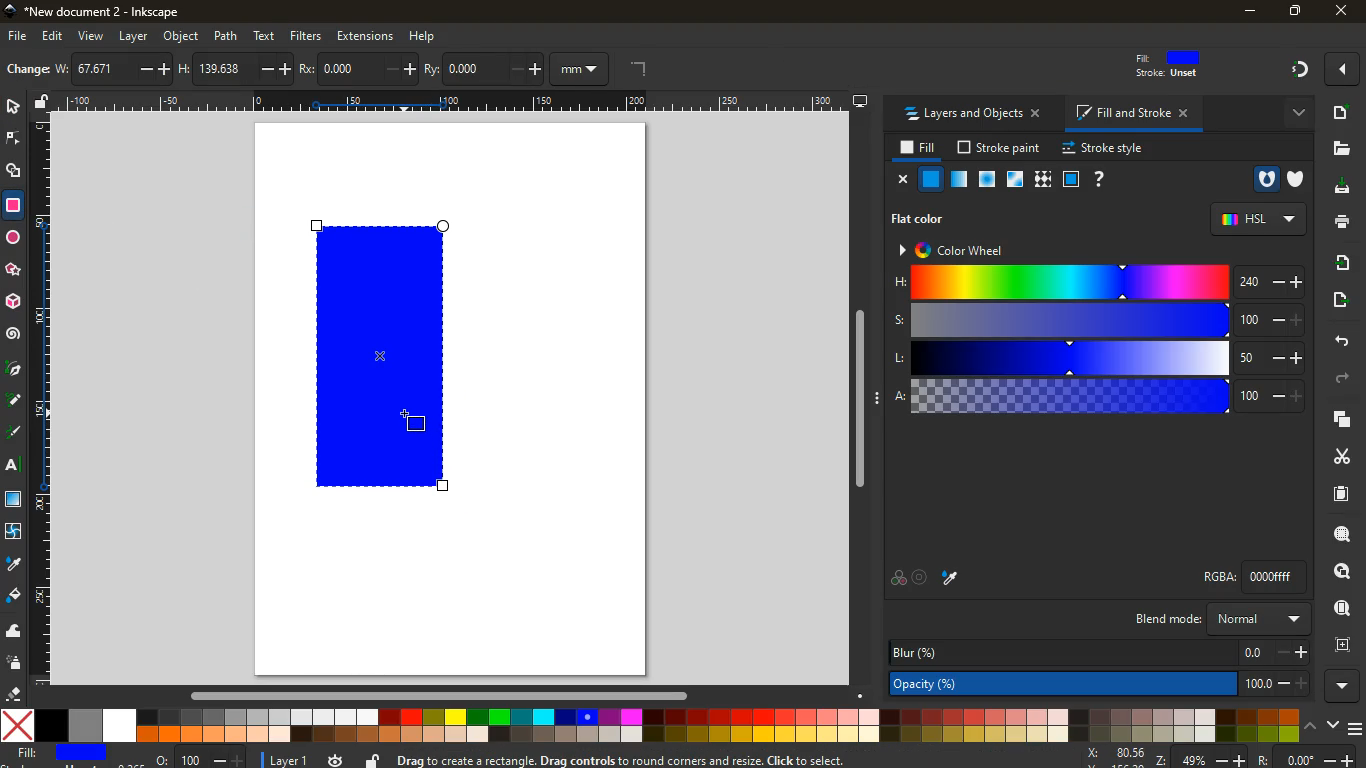 This screenshot has height=768, width=1366. Describe the element at coordinates (586, 68) in the screenshot. I see `mm` at that location.